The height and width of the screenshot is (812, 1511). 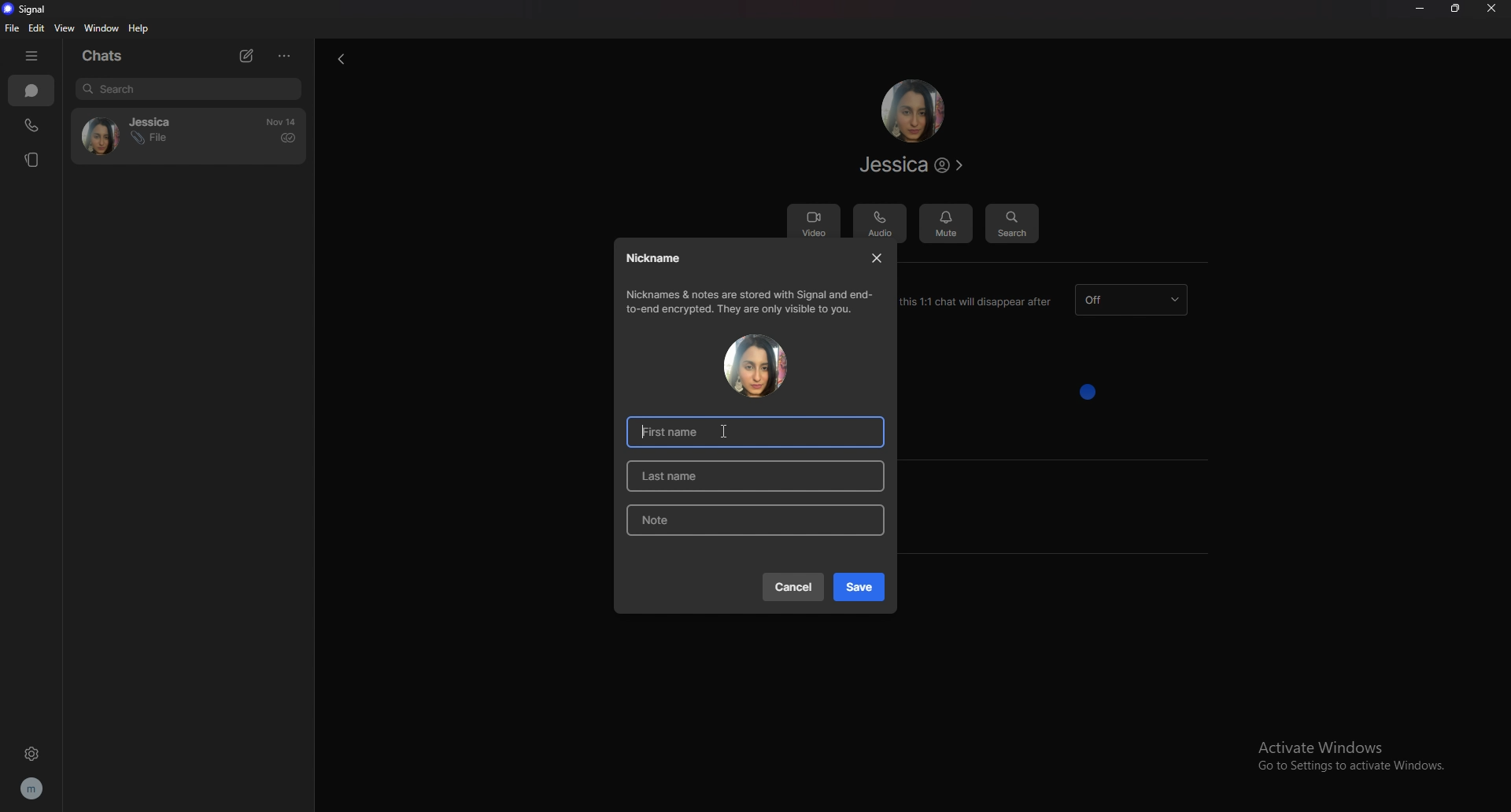 I want to click on search, so click(x=190, y=89).